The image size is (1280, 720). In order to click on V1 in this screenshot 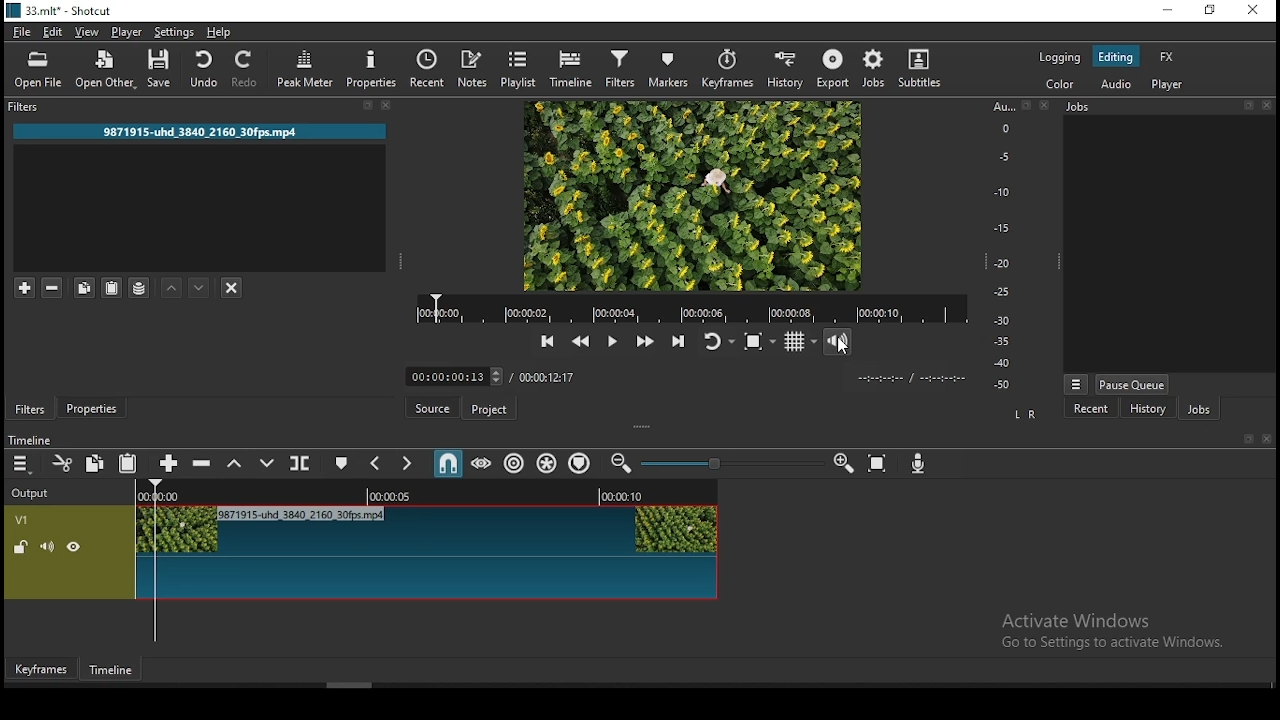, I will do `click(23, 520)`.